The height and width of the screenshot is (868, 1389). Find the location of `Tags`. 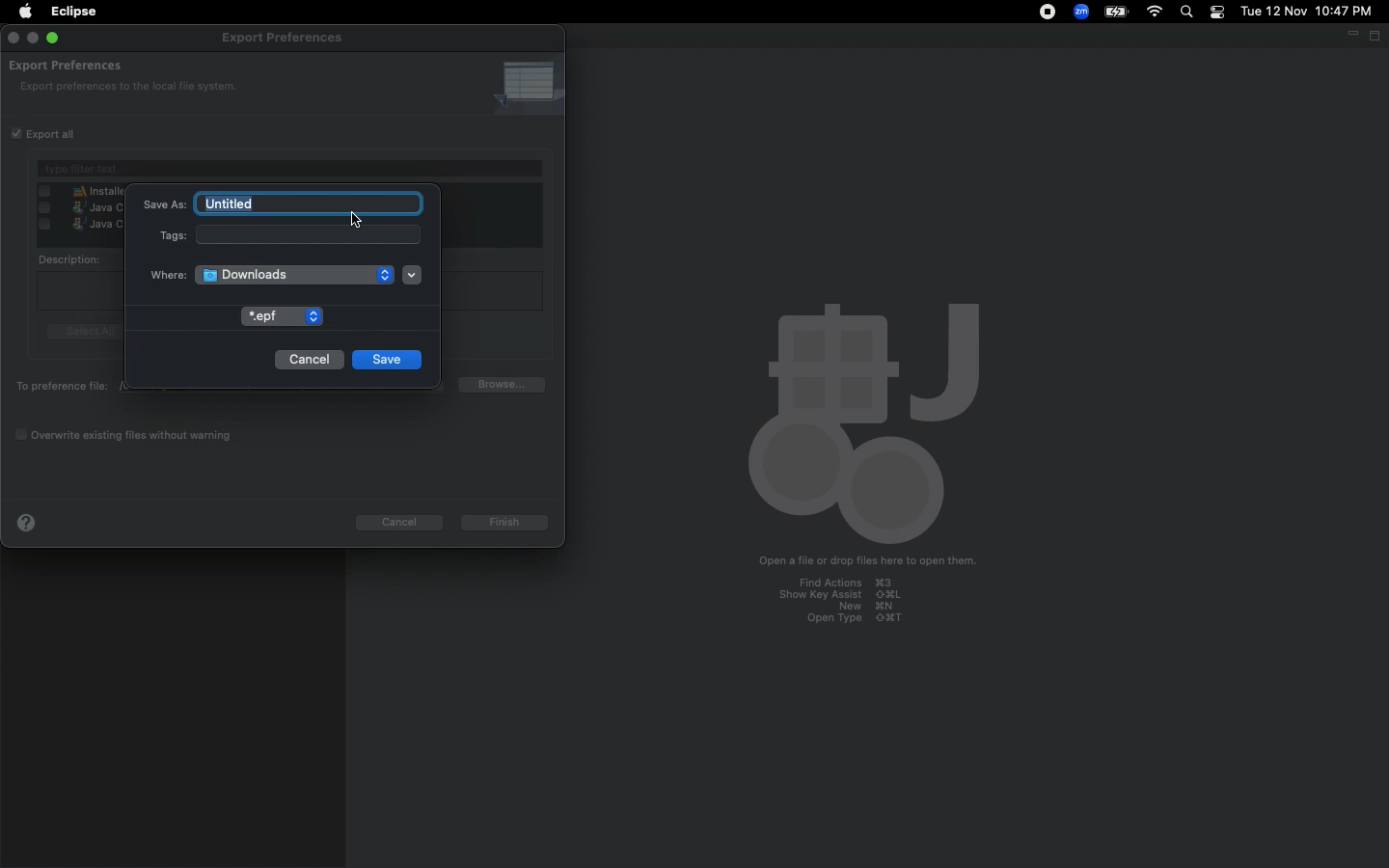

Tags is located at coordinates (286, 235).